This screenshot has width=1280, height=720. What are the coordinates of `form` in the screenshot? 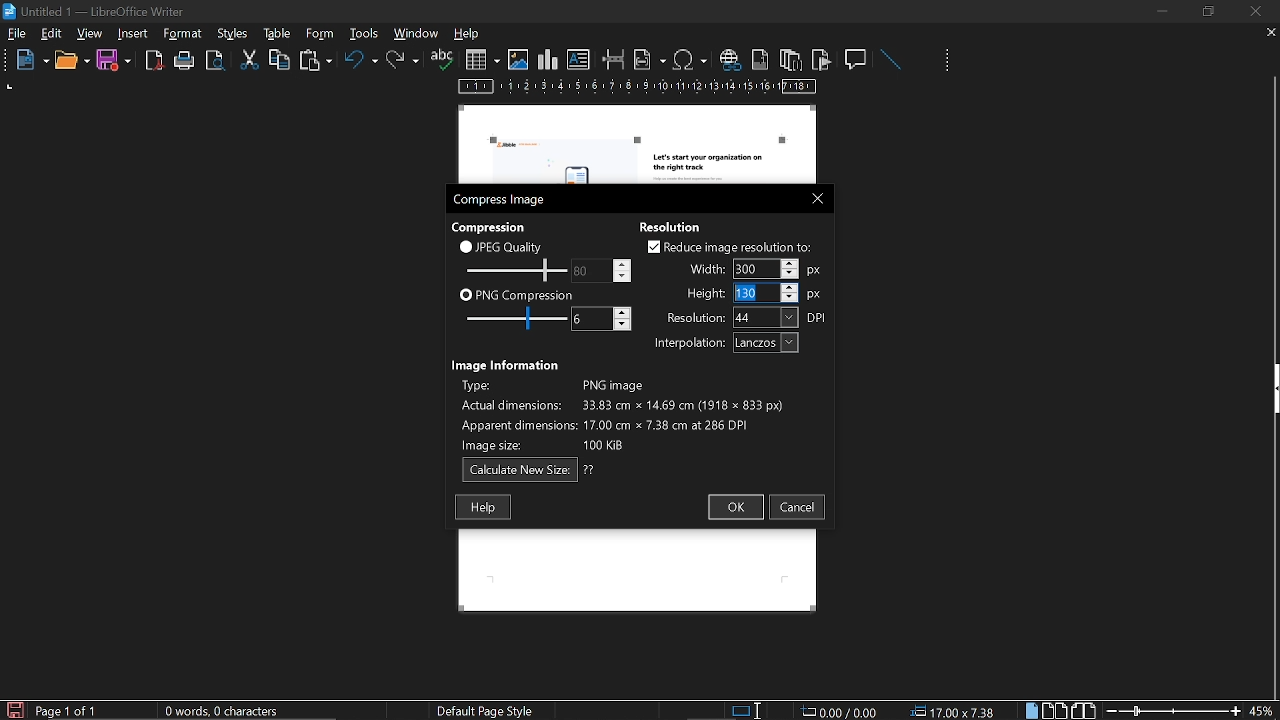 It's located at (366, 33).